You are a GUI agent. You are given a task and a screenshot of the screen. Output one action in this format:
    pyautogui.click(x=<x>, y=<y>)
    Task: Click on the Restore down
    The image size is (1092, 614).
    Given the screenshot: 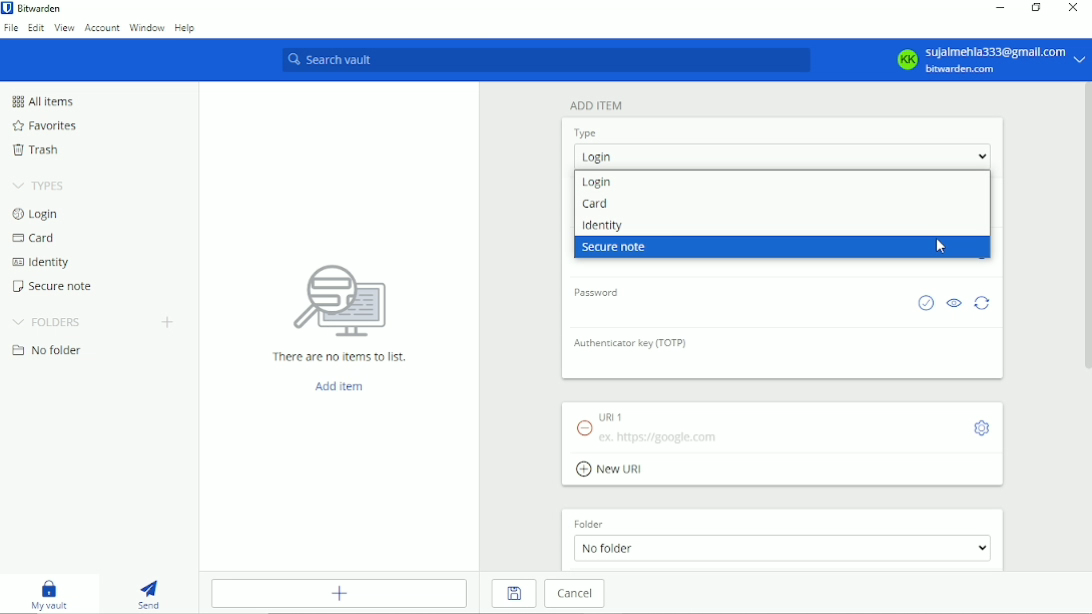 What is the action you would take?
    pyautogui.click(x=1034, y=8)
    